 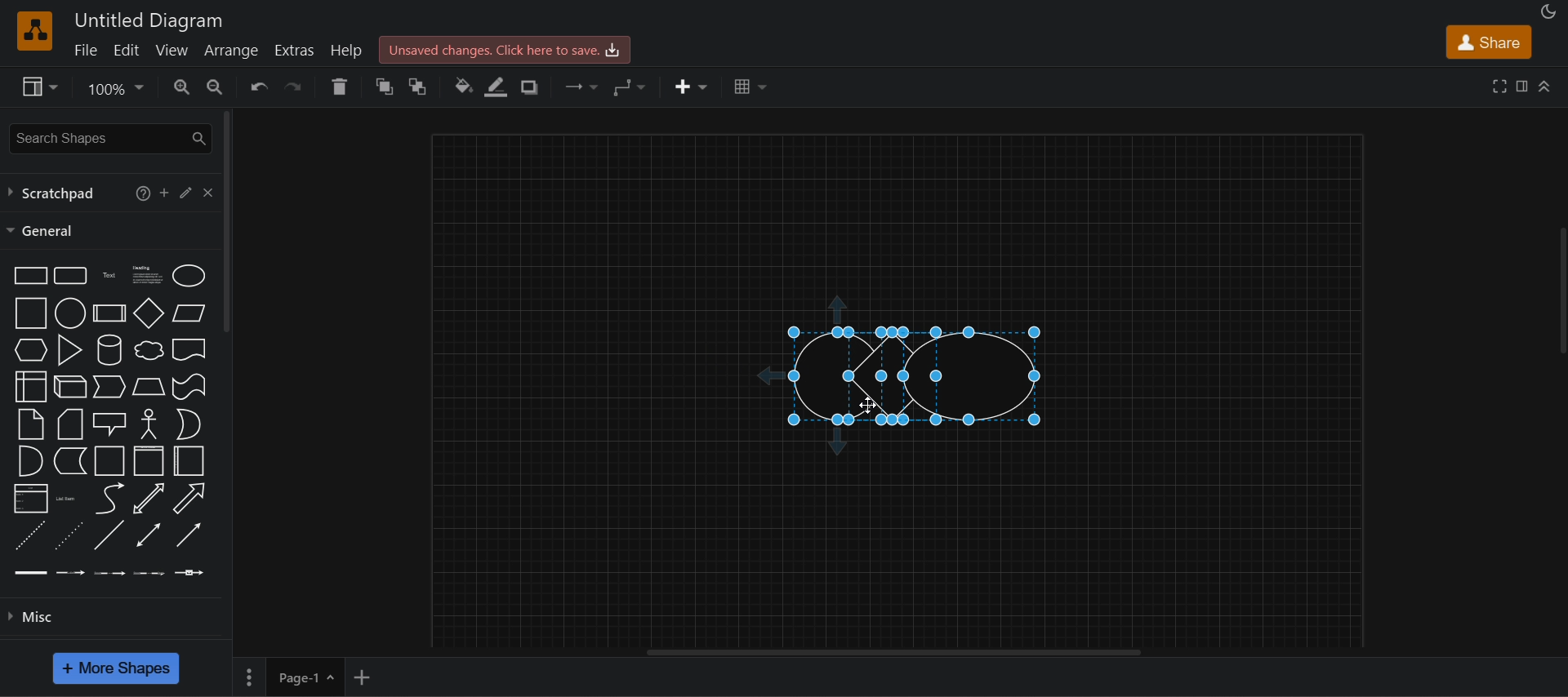 What do you see at coordinates (149, 386) in the screenshot?
I see `trapezoid` at bounding box center [149, 386].